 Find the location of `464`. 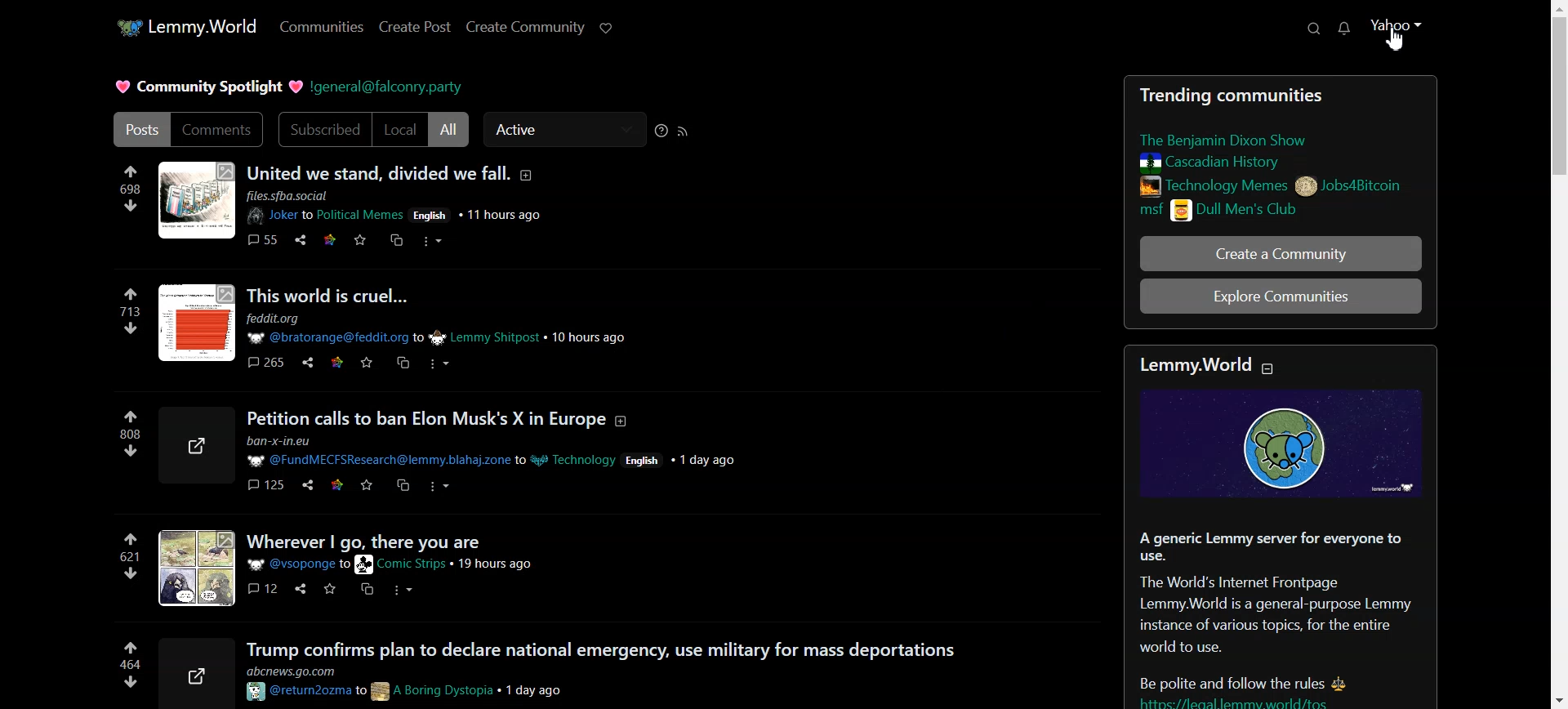

464 is located at coordinates (125, 662).